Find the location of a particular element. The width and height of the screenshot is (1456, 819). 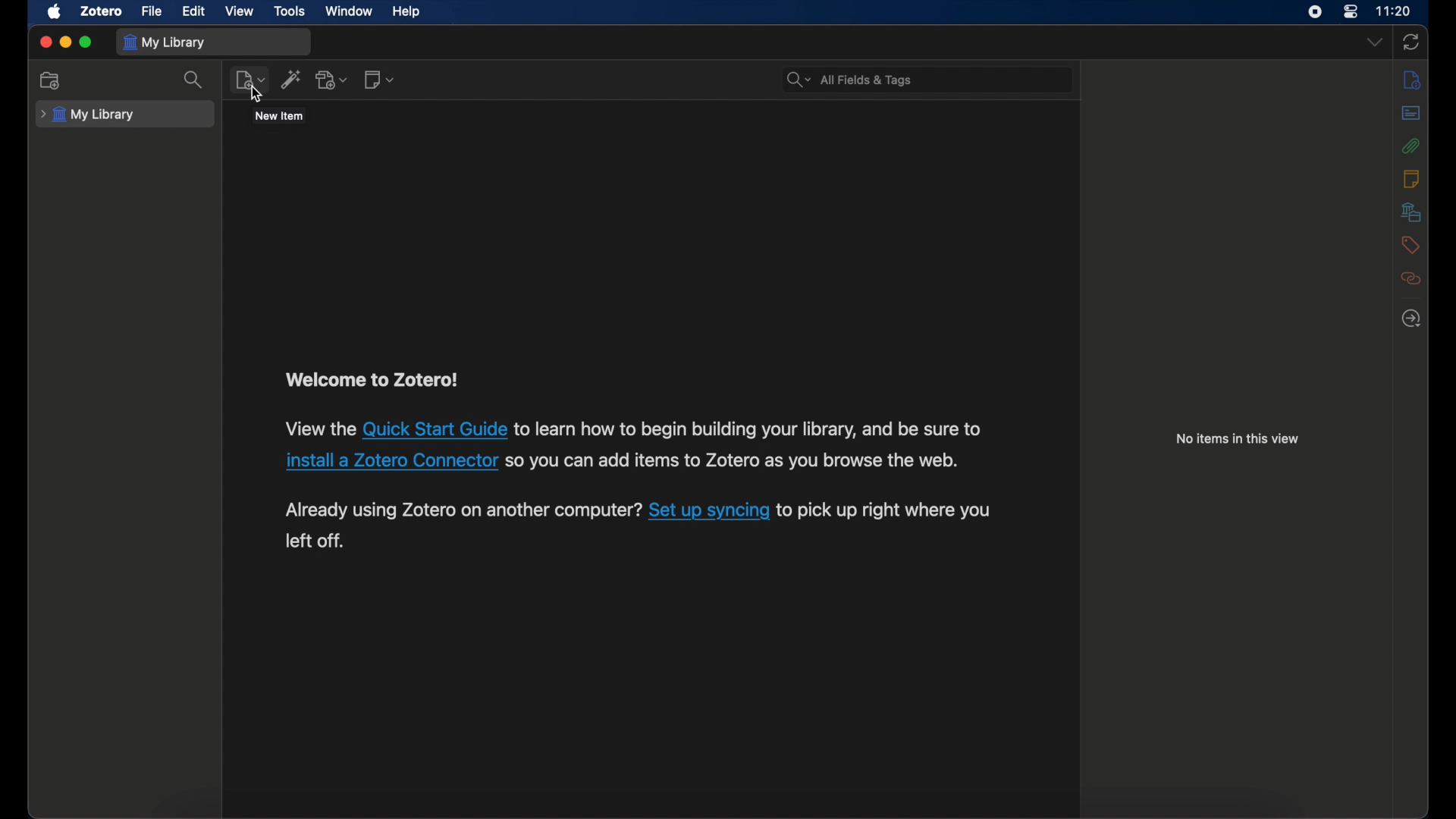

add item by identifier is located at coordinates (293, 79).